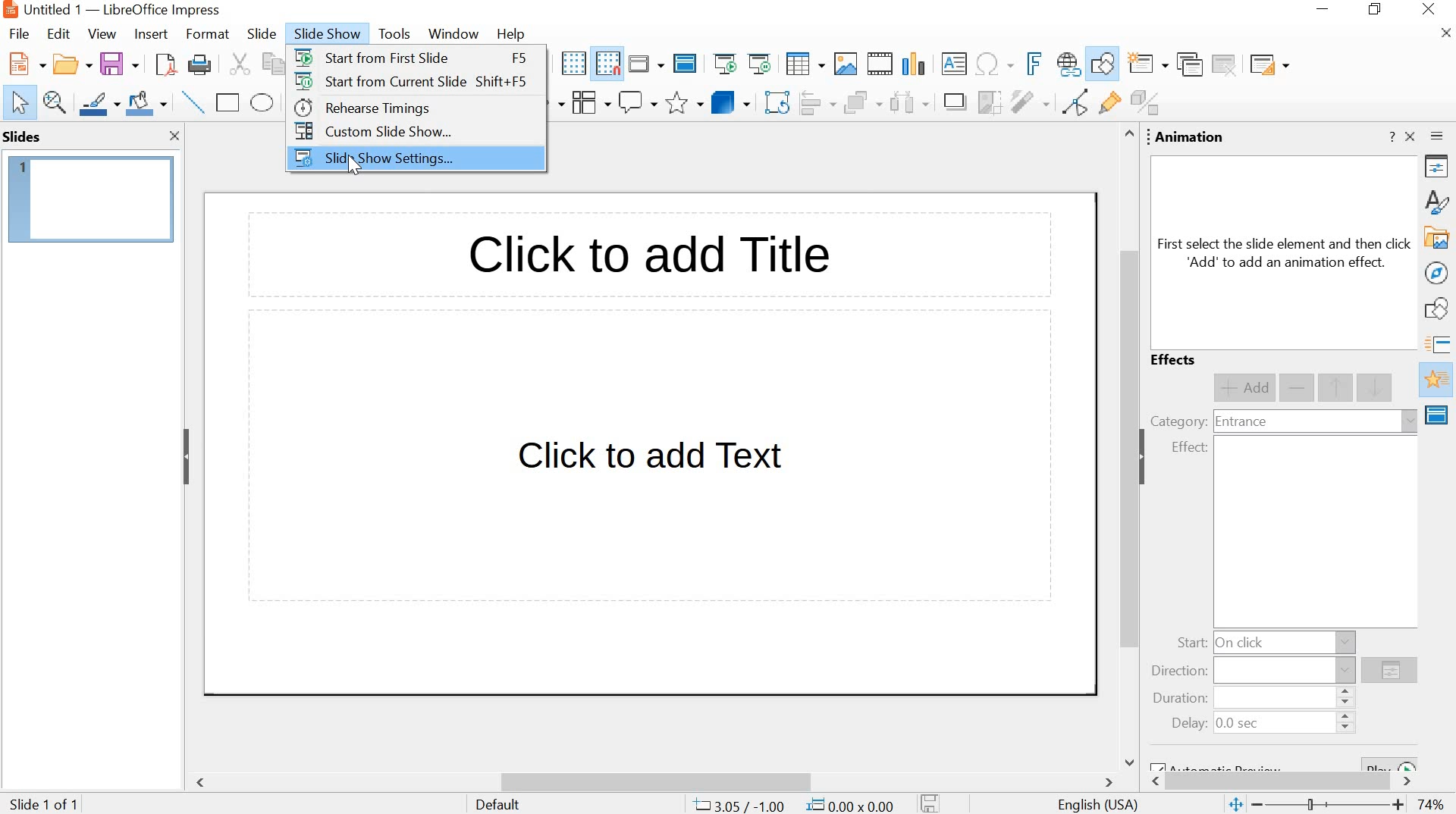 This screenshot has width=1456, height=814. What do you see at coordinates (1447, 33) in the screenshot?
I see `close document` at bounding box center [1447, 33].